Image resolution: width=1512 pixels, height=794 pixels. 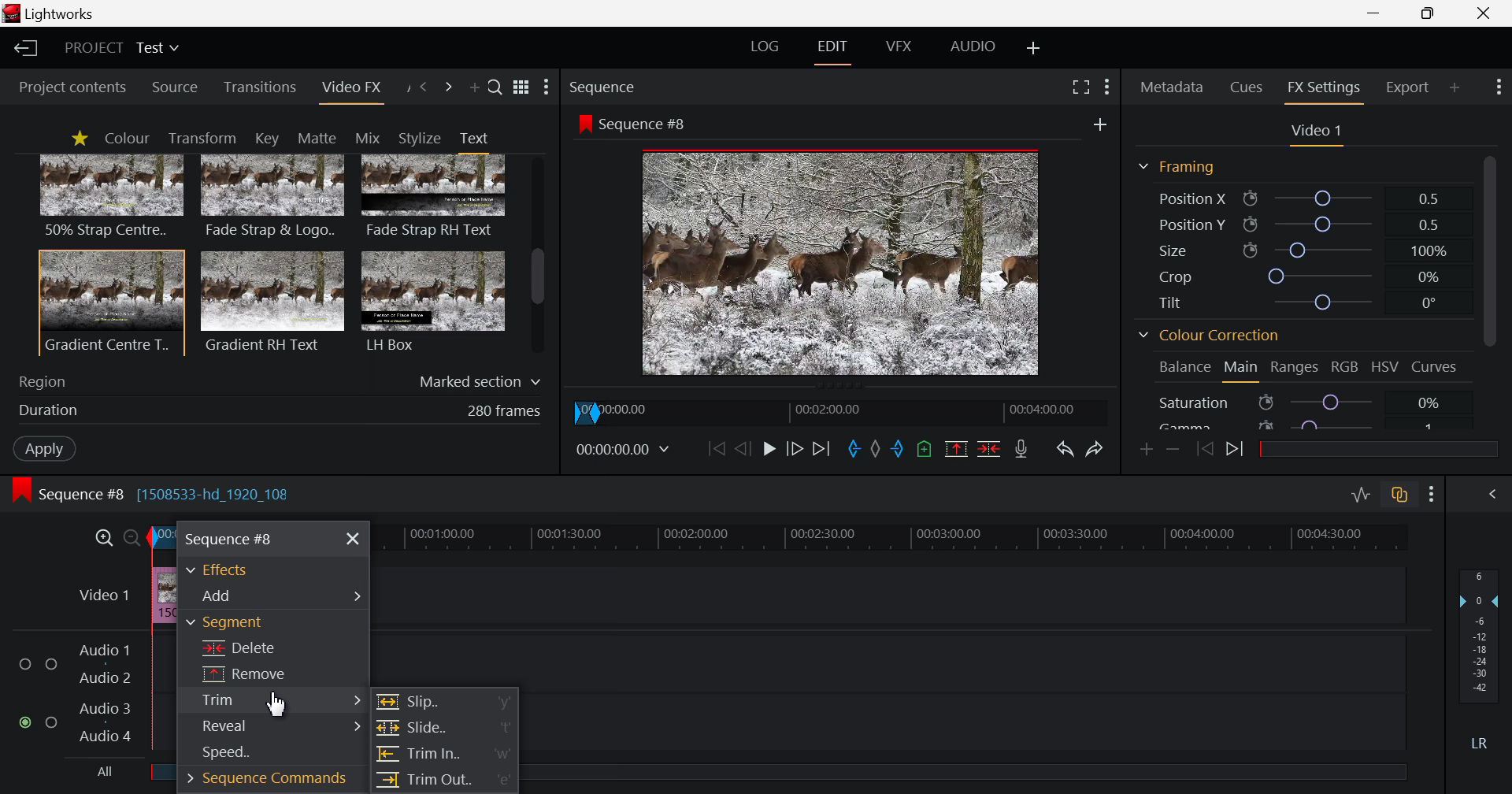 What do you see at coordinates (851, 447) in the screenshot?
I see `Mark In` at bounding box center [851, 447].